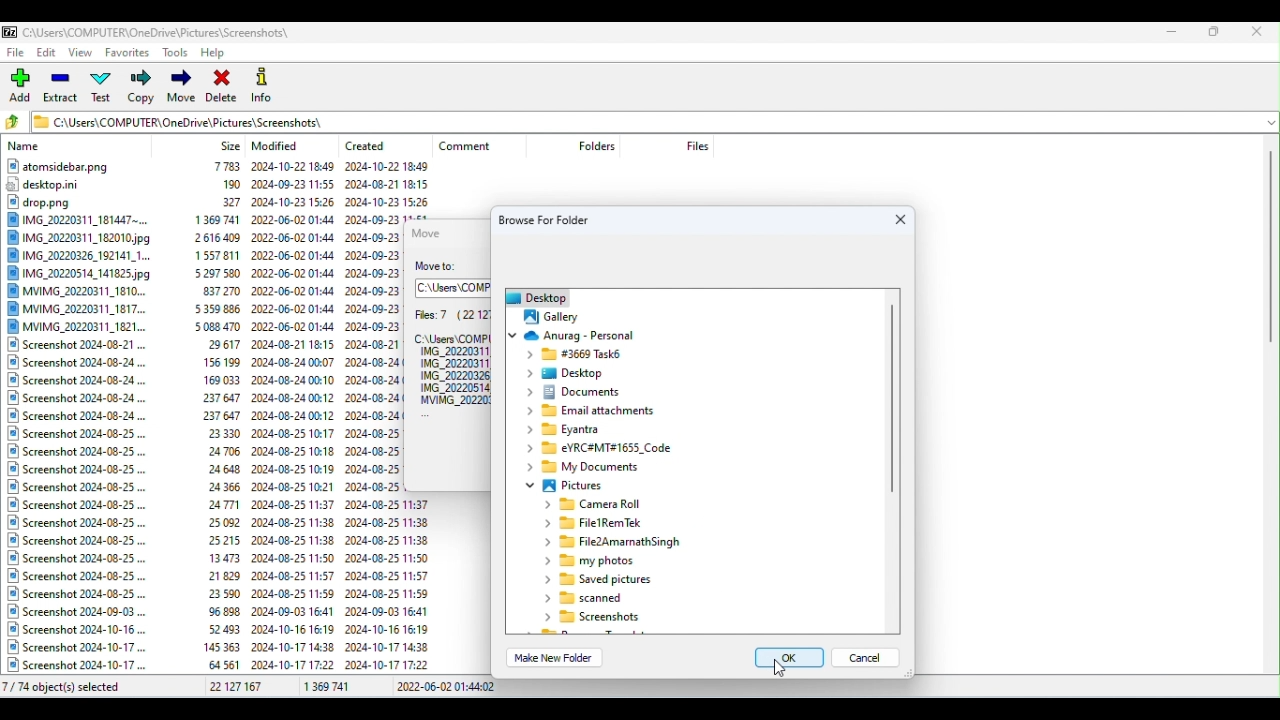  What do you see at coordinates (595, 412) in the screenshot?
I see `Folder` at bounding box center [595, 412].